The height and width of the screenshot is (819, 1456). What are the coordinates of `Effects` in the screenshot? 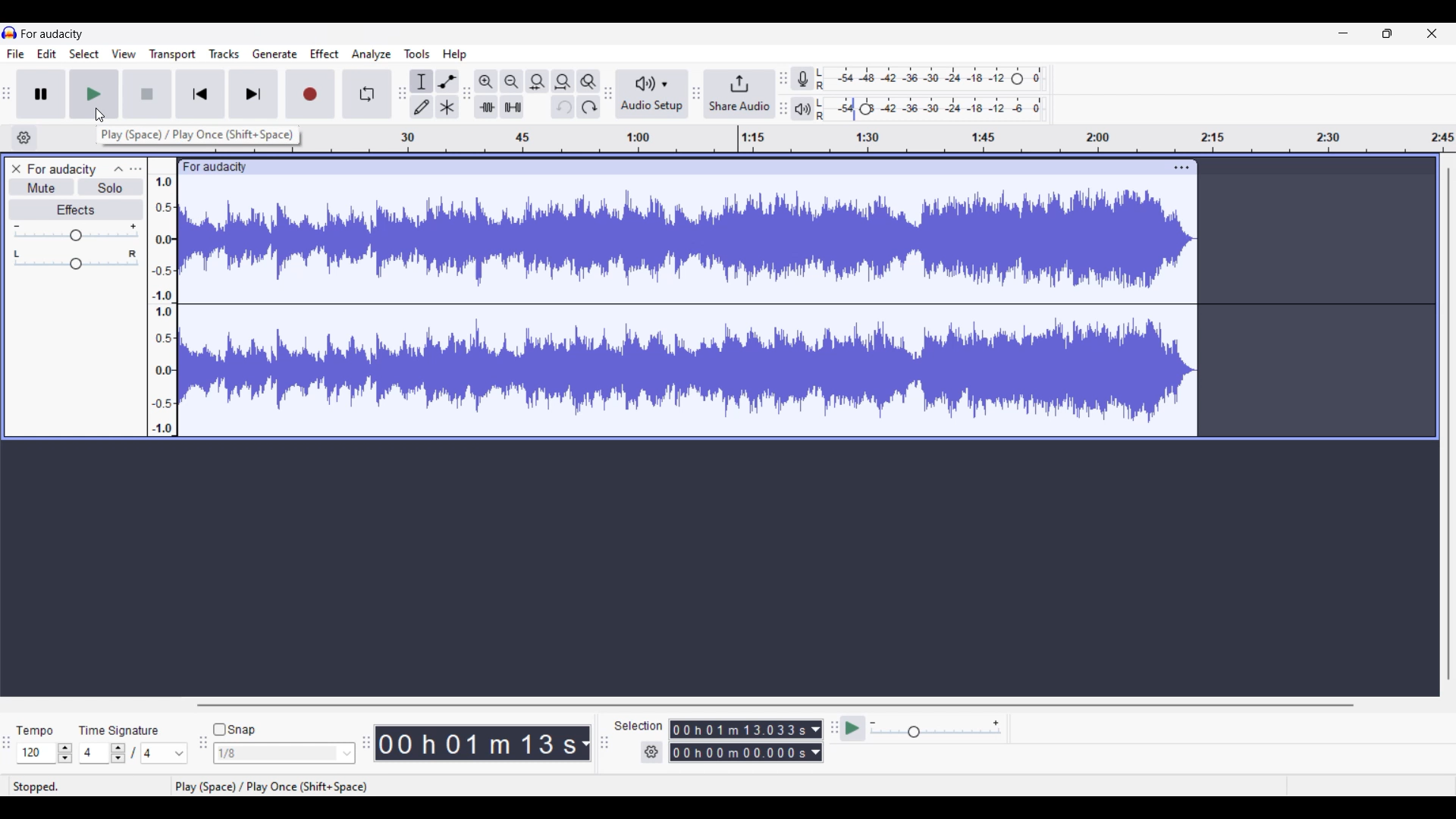 It's located at (76, 209).